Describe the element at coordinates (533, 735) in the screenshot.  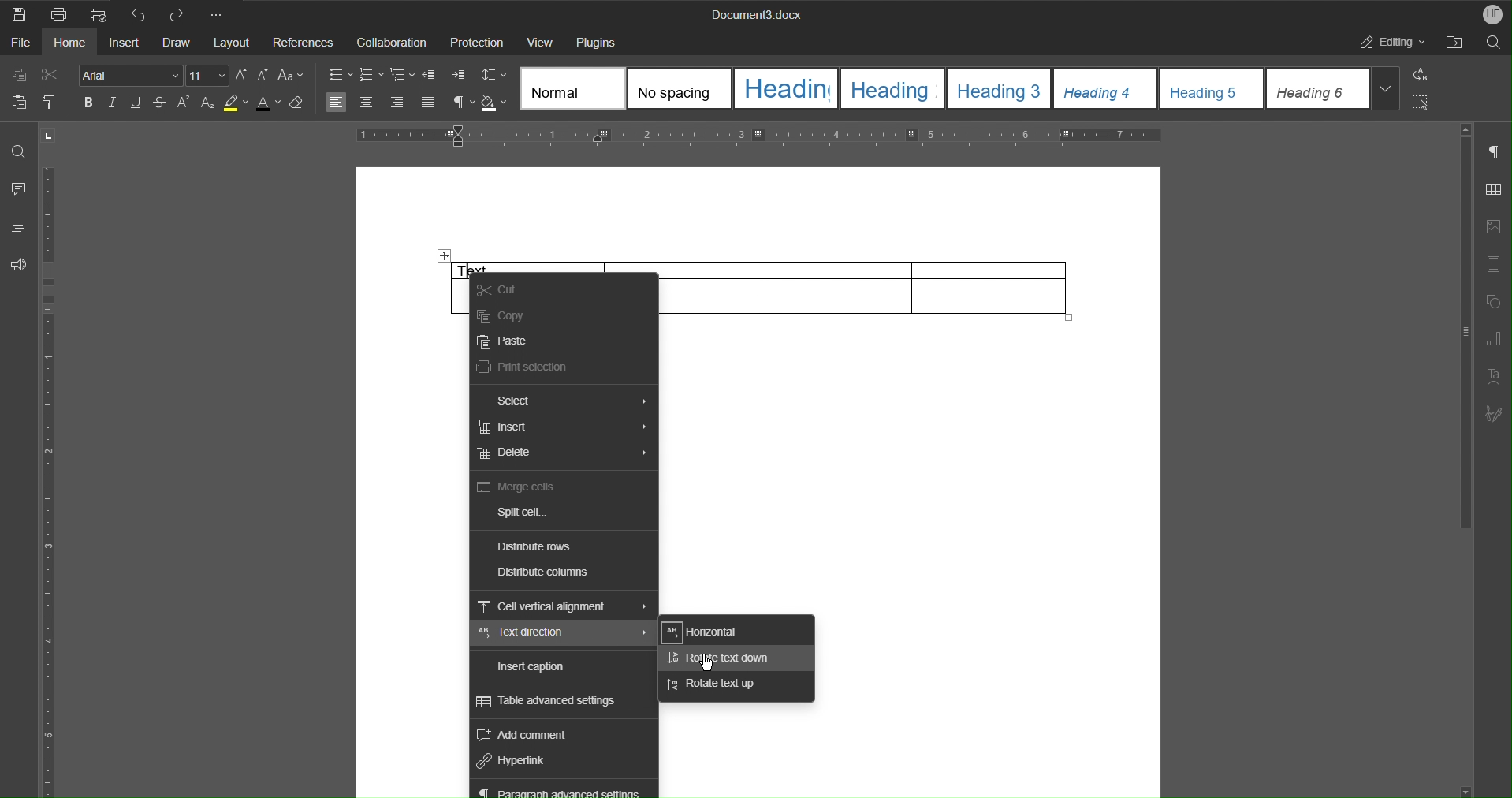
I see `Add comment` at that location.